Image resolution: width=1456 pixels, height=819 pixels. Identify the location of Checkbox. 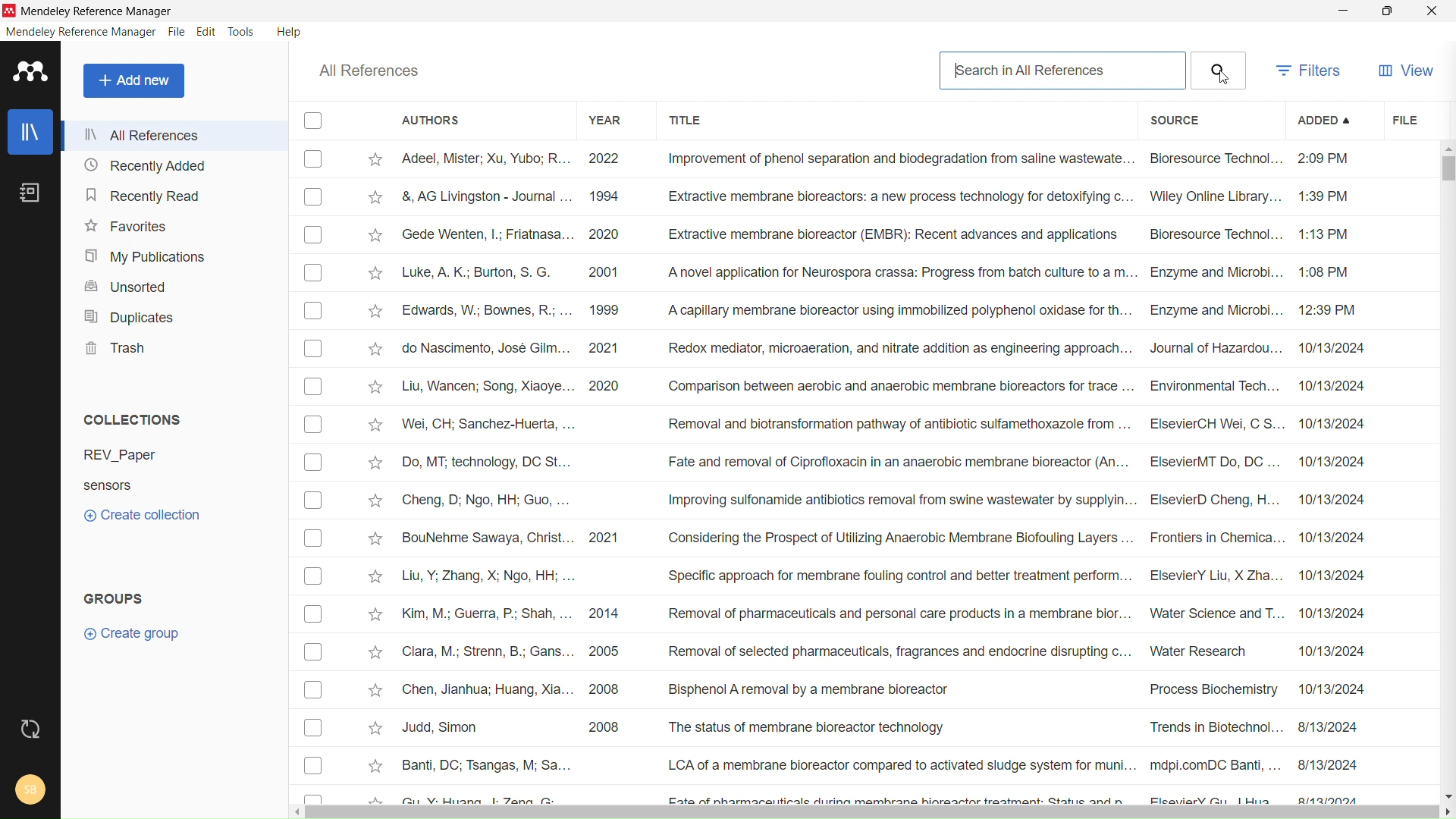
(313, 421).